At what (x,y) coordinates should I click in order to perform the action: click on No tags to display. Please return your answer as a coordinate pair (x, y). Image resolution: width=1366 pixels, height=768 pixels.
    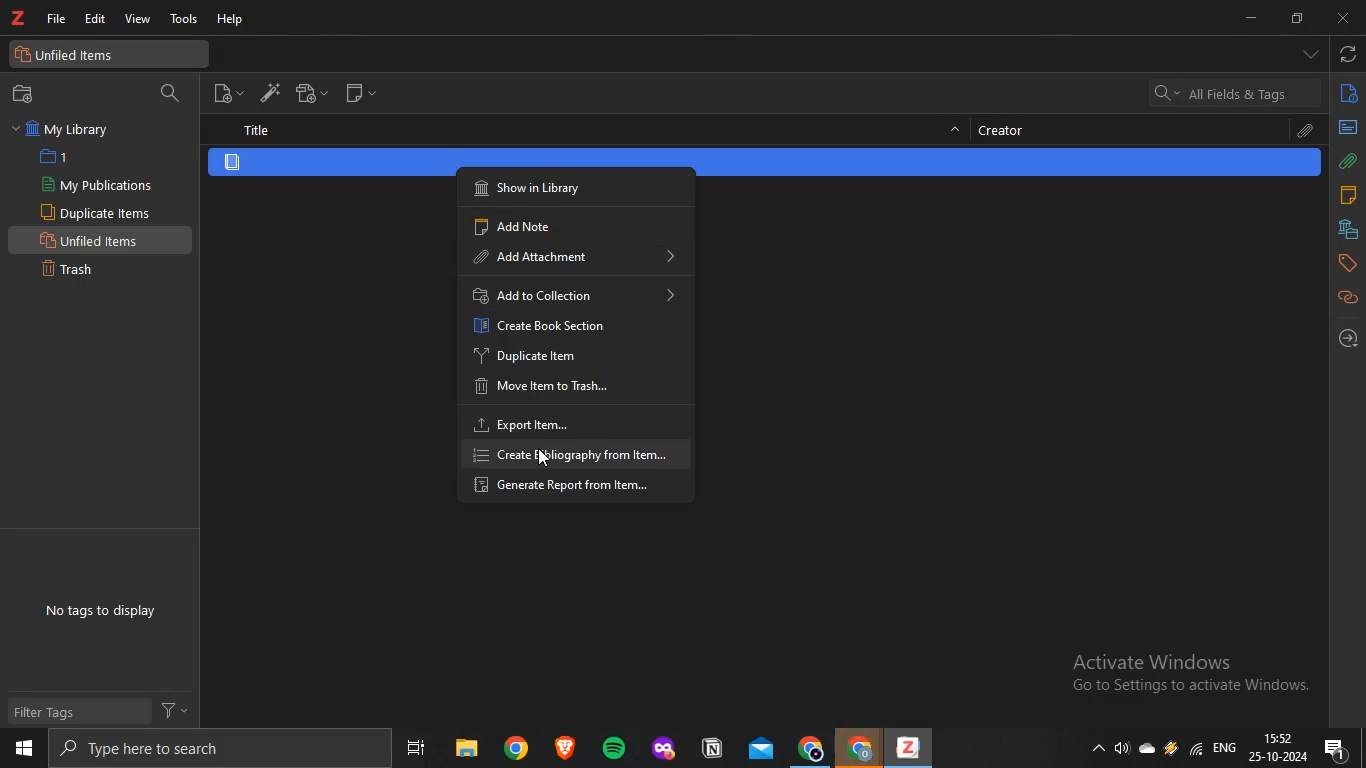
    Looking at the image, I should click on (102, 612).